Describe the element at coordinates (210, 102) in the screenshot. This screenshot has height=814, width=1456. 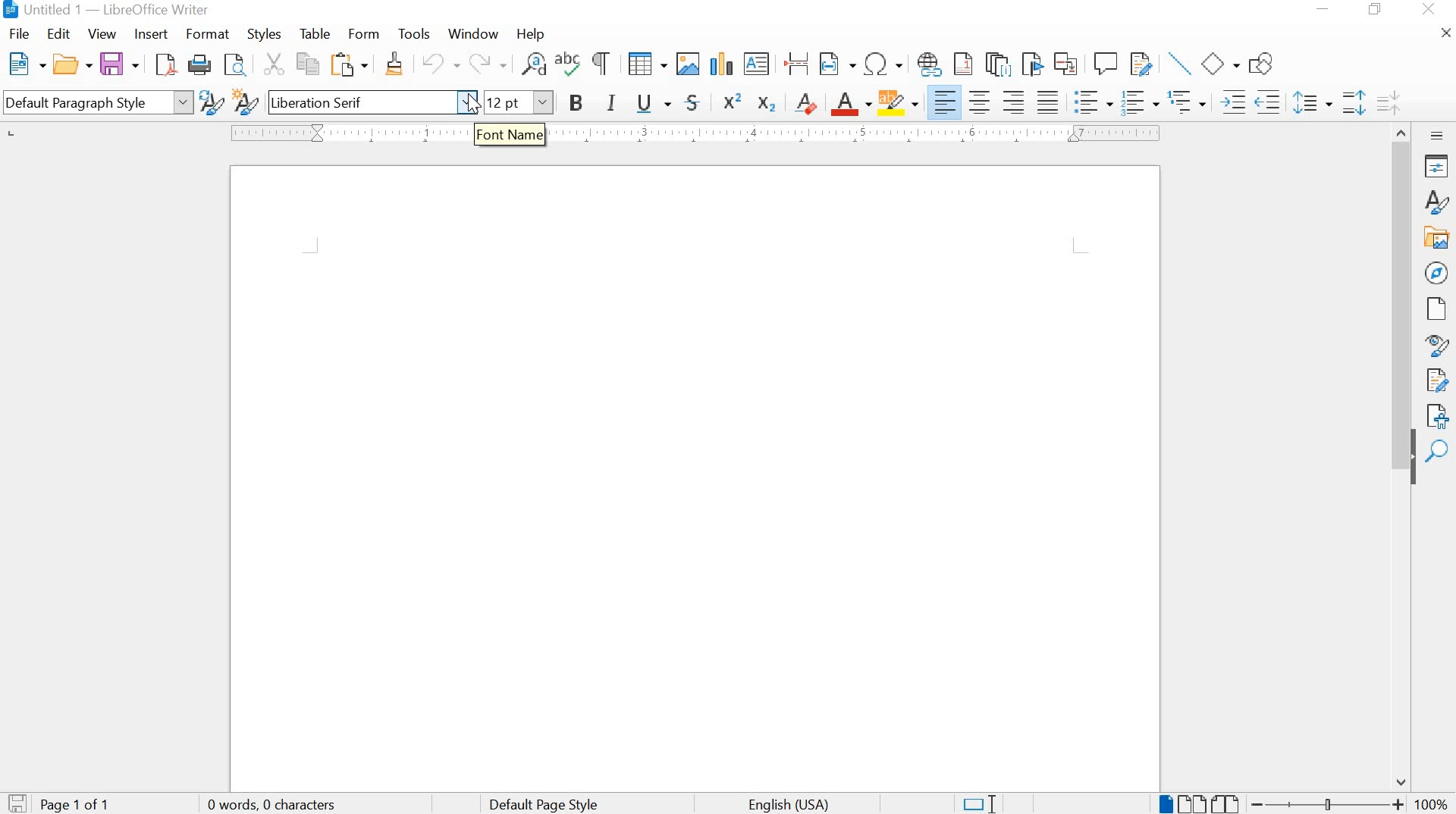
I see `UPDATE SELECTED STYLE` at that location.